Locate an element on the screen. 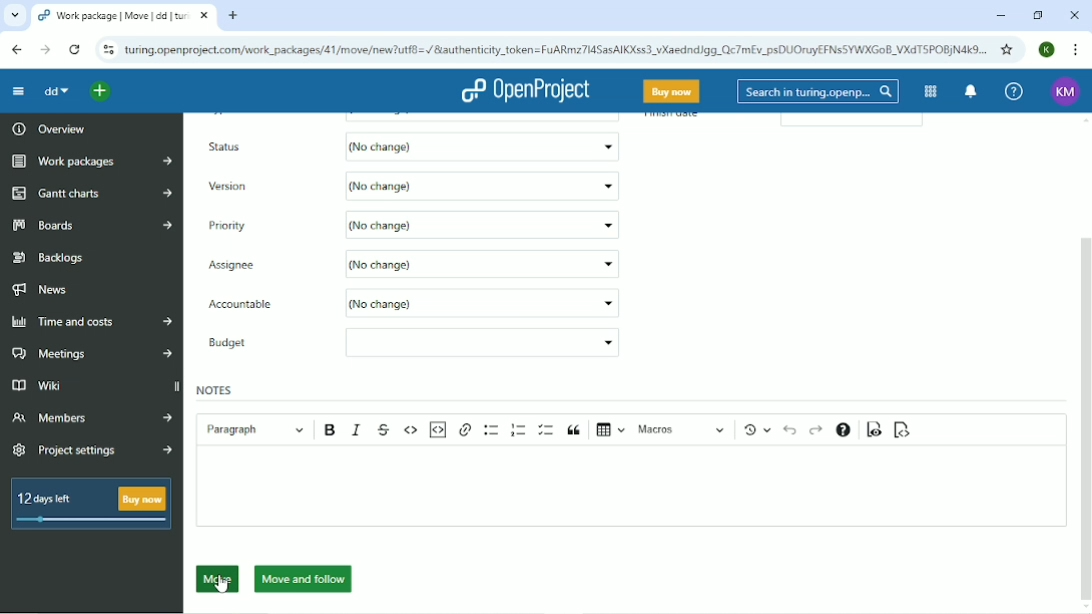 The height and width of the screenshot is (614, 1092). Backlogs is located at coordinates (50, 258).